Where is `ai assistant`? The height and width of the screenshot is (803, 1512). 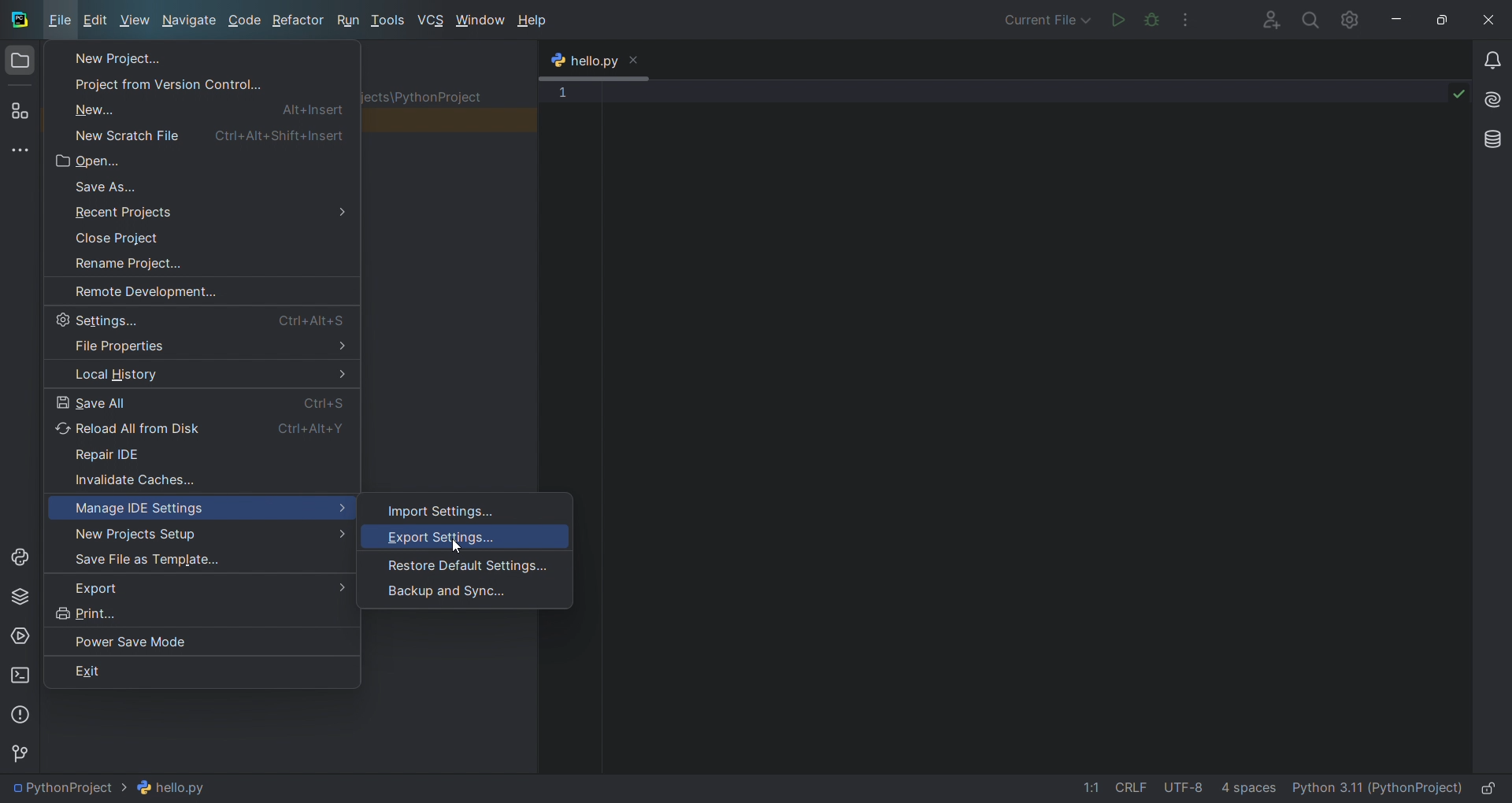 ai assistant is located at coordinates (1492, 100).